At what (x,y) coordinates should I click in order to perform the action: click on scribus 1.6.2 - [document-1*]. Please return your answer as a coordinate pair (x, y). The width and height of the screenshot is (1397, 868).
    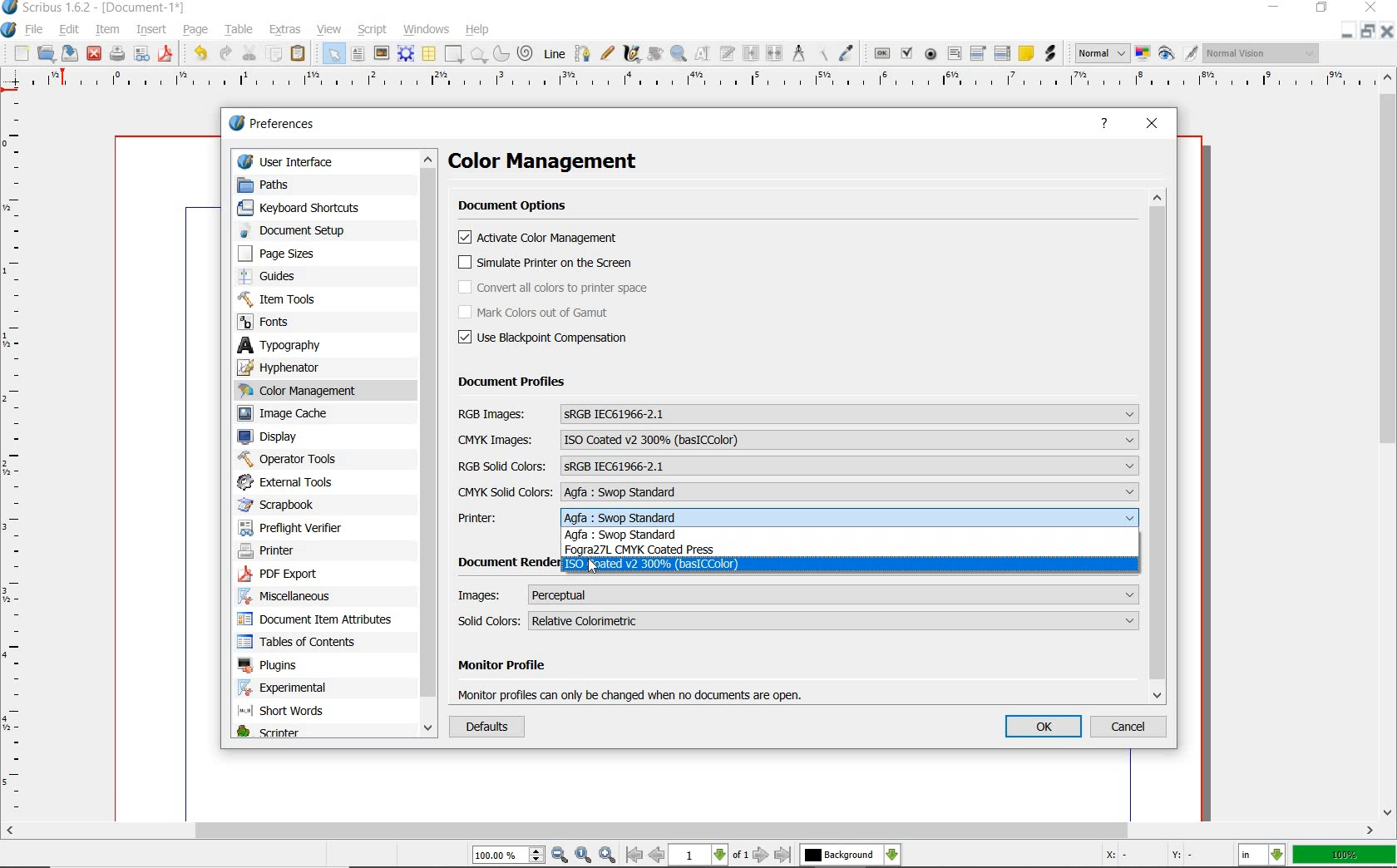
    Looking at the image, I should click on (96, 8).